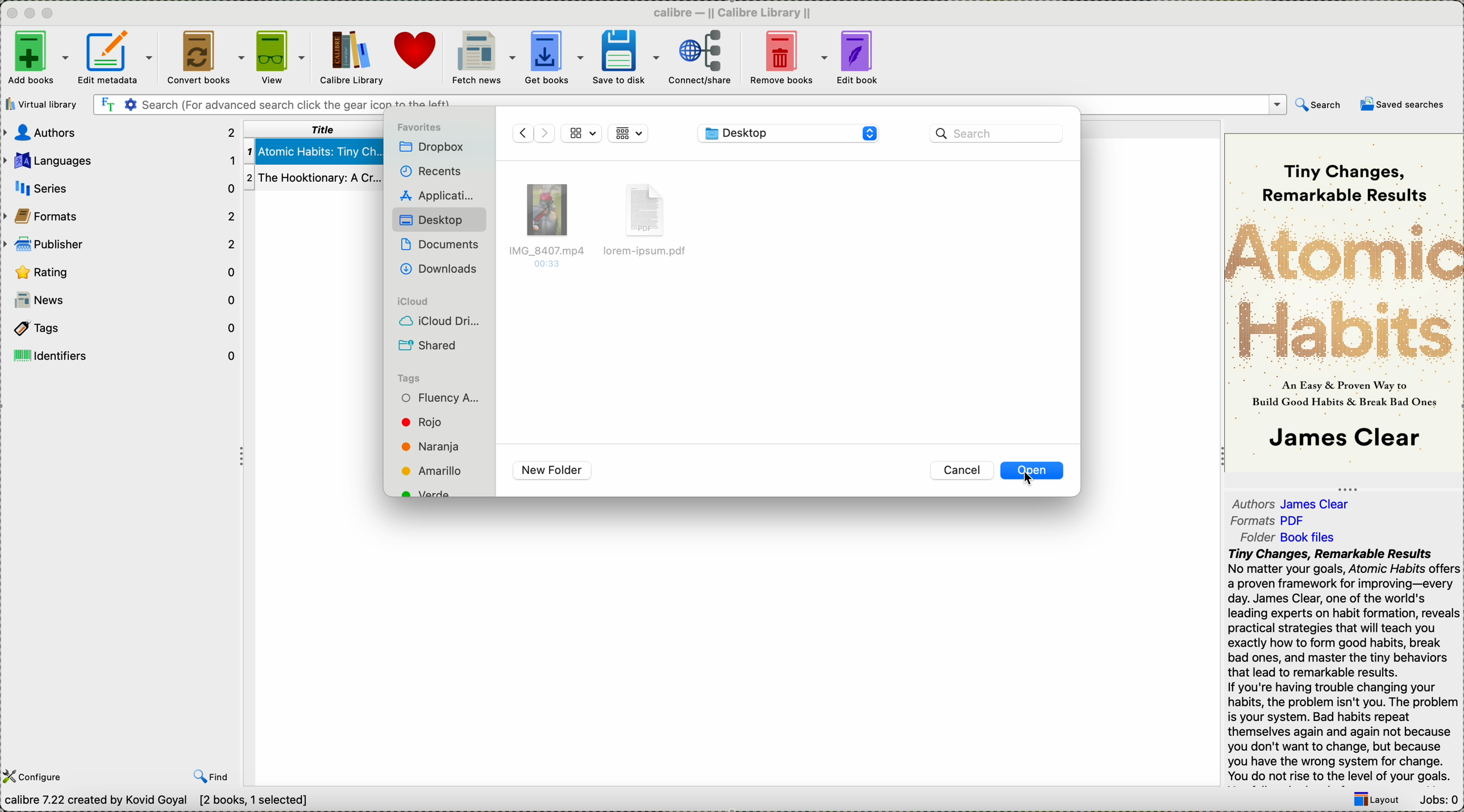 This screenshot has height=812, width=1464. I want to click on drop, so click(434, 148).